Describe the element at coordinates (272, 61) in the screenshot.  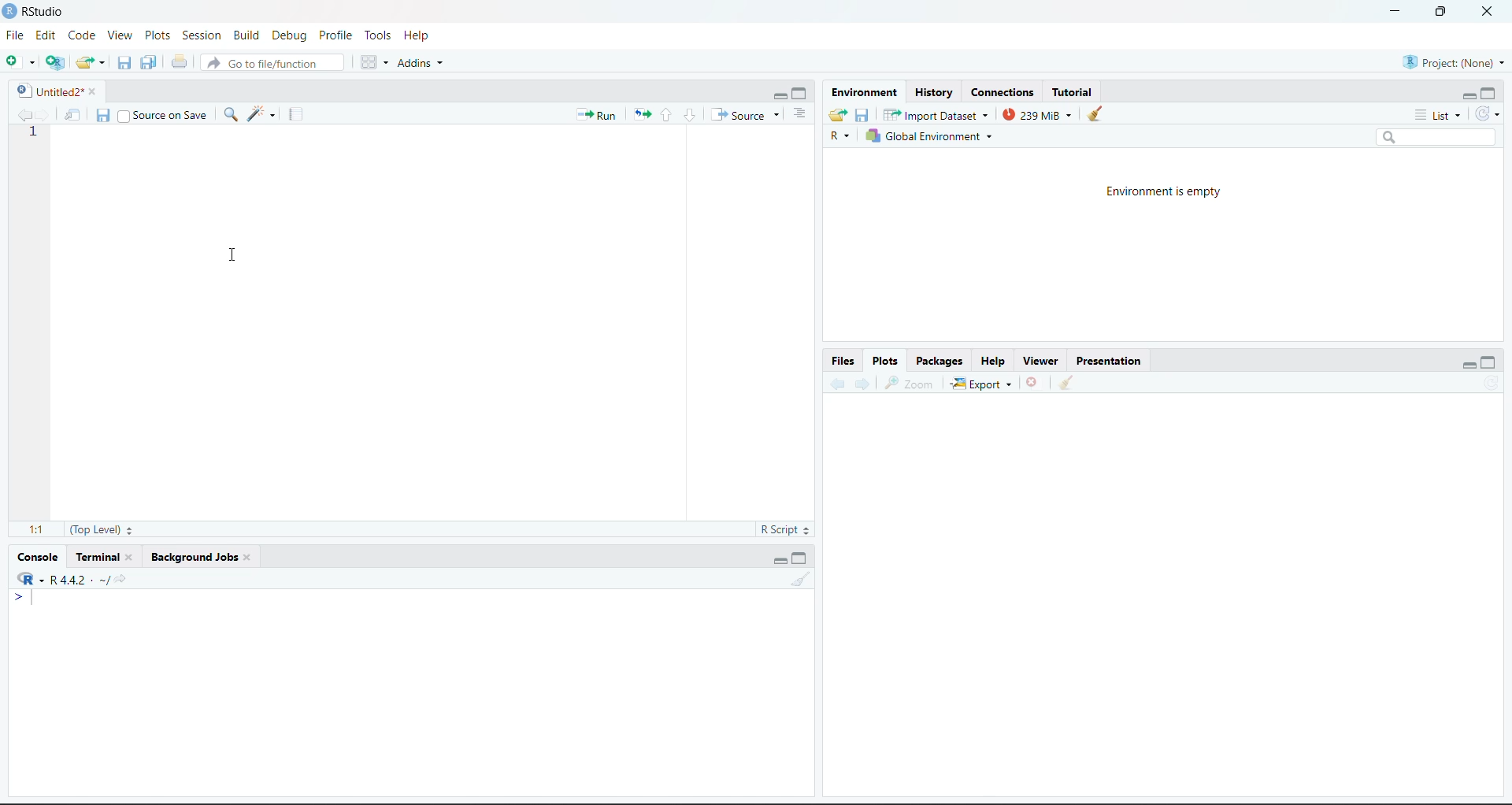
I see `Go to file/function` at that location.